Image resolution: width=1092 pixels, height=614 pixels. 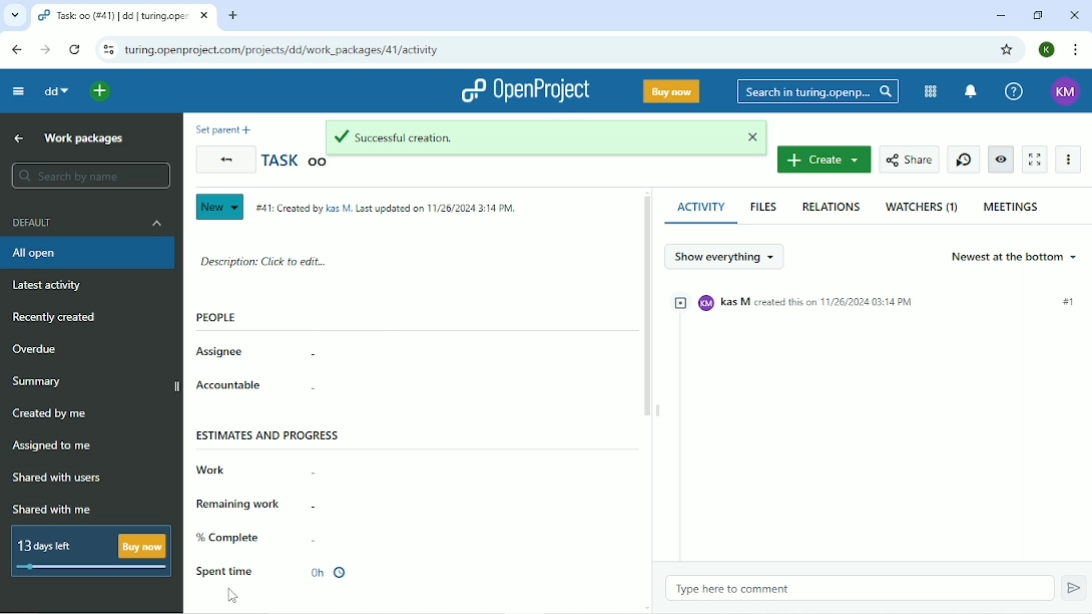 I want to click on Start new timer, so click(x=963, y=160).